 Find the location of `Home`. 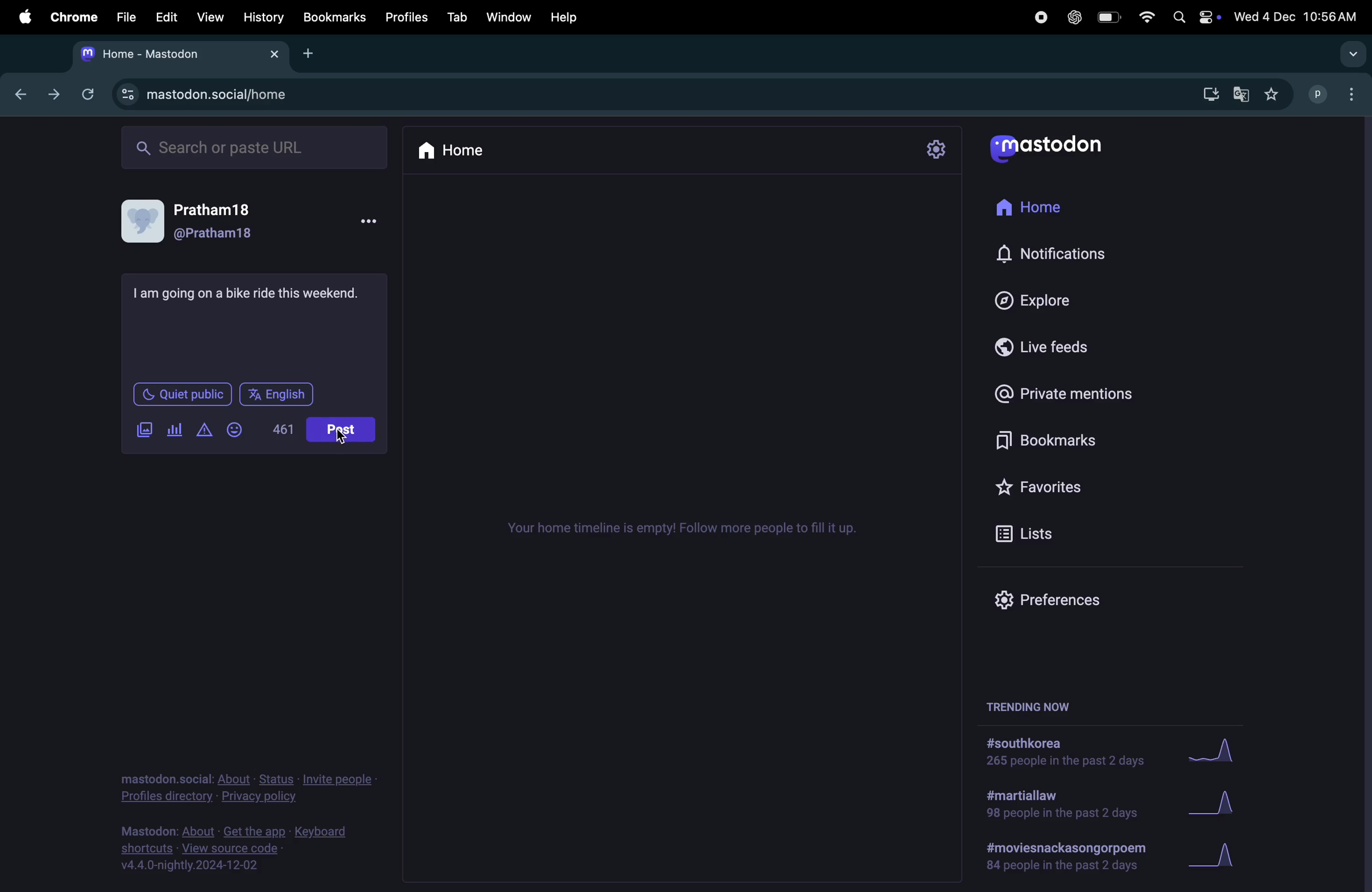

Home is located at coordinates (1039, 210).